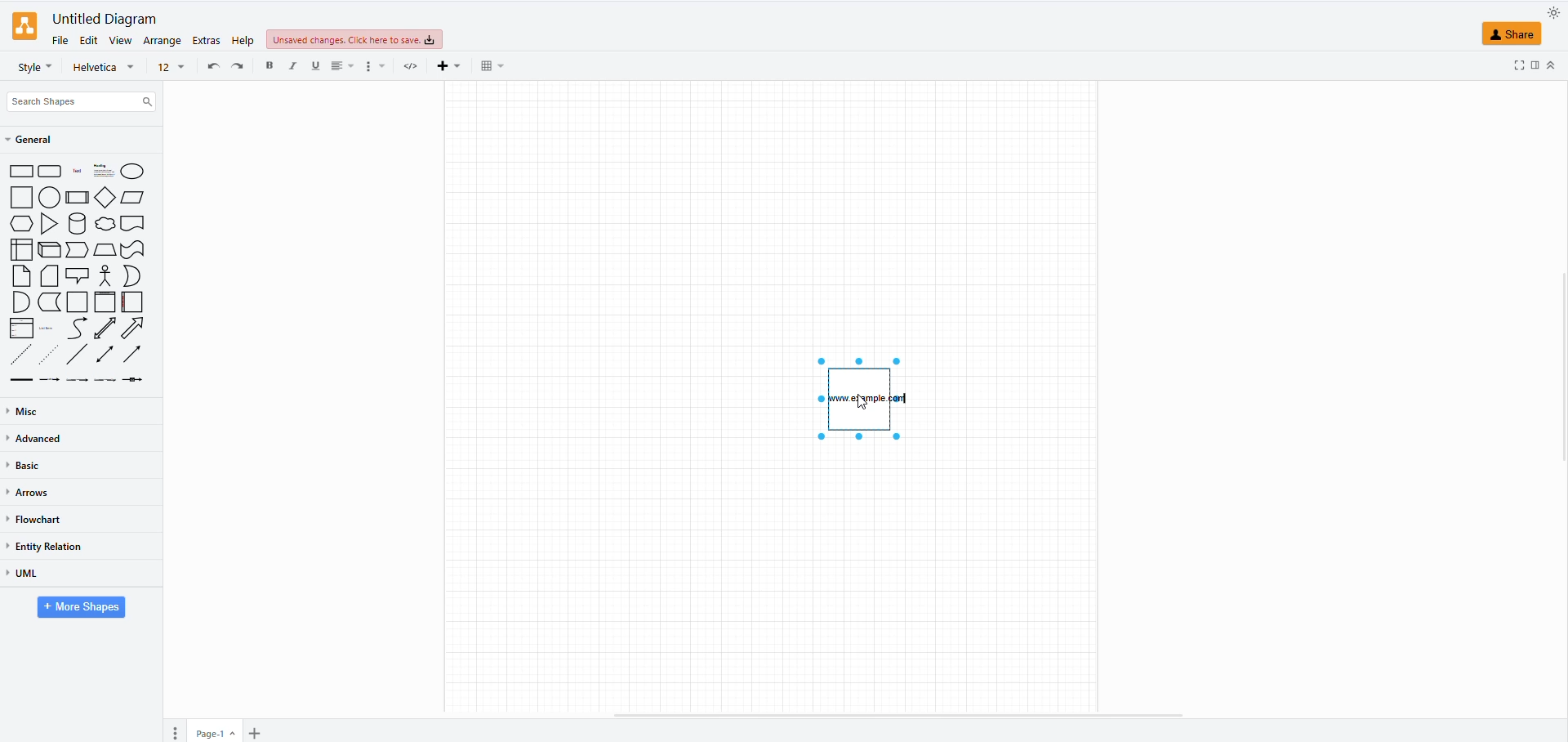  Describe the element at coordinates (22, 302) in the screenshot. I see `And` at that location.